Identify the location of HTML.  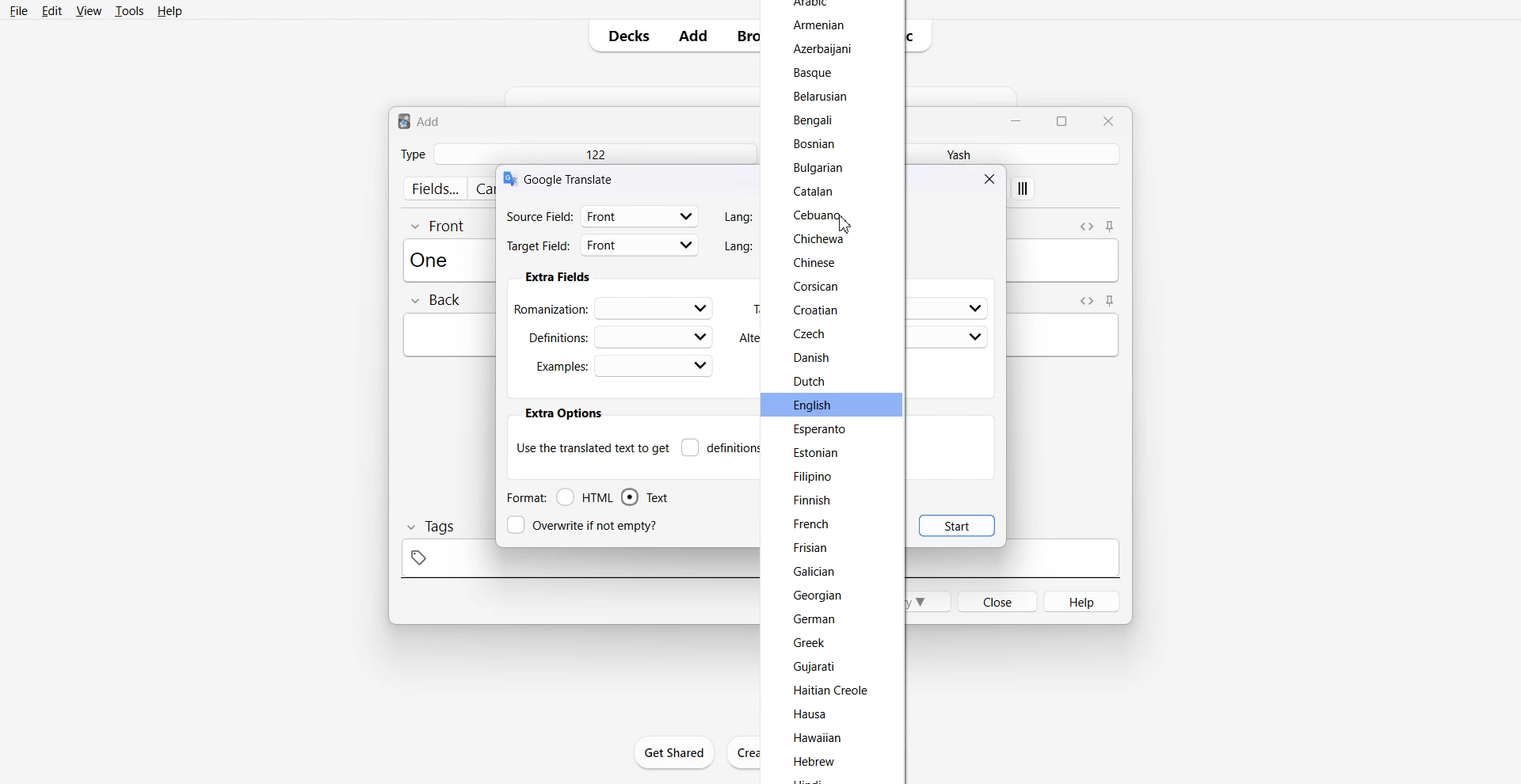
(585, 497).